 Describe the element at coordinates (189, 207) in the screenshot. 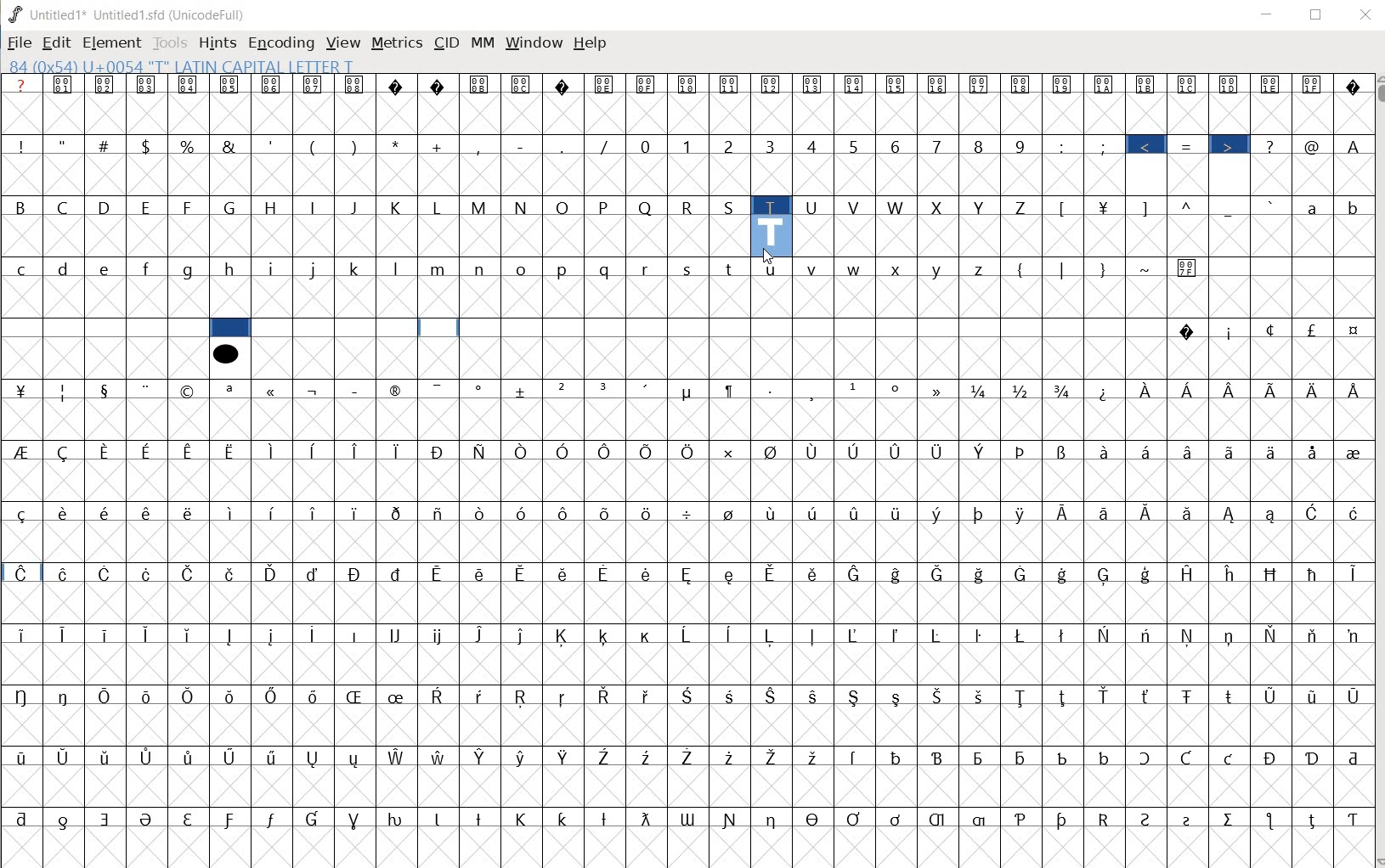

I see `F` at that location.